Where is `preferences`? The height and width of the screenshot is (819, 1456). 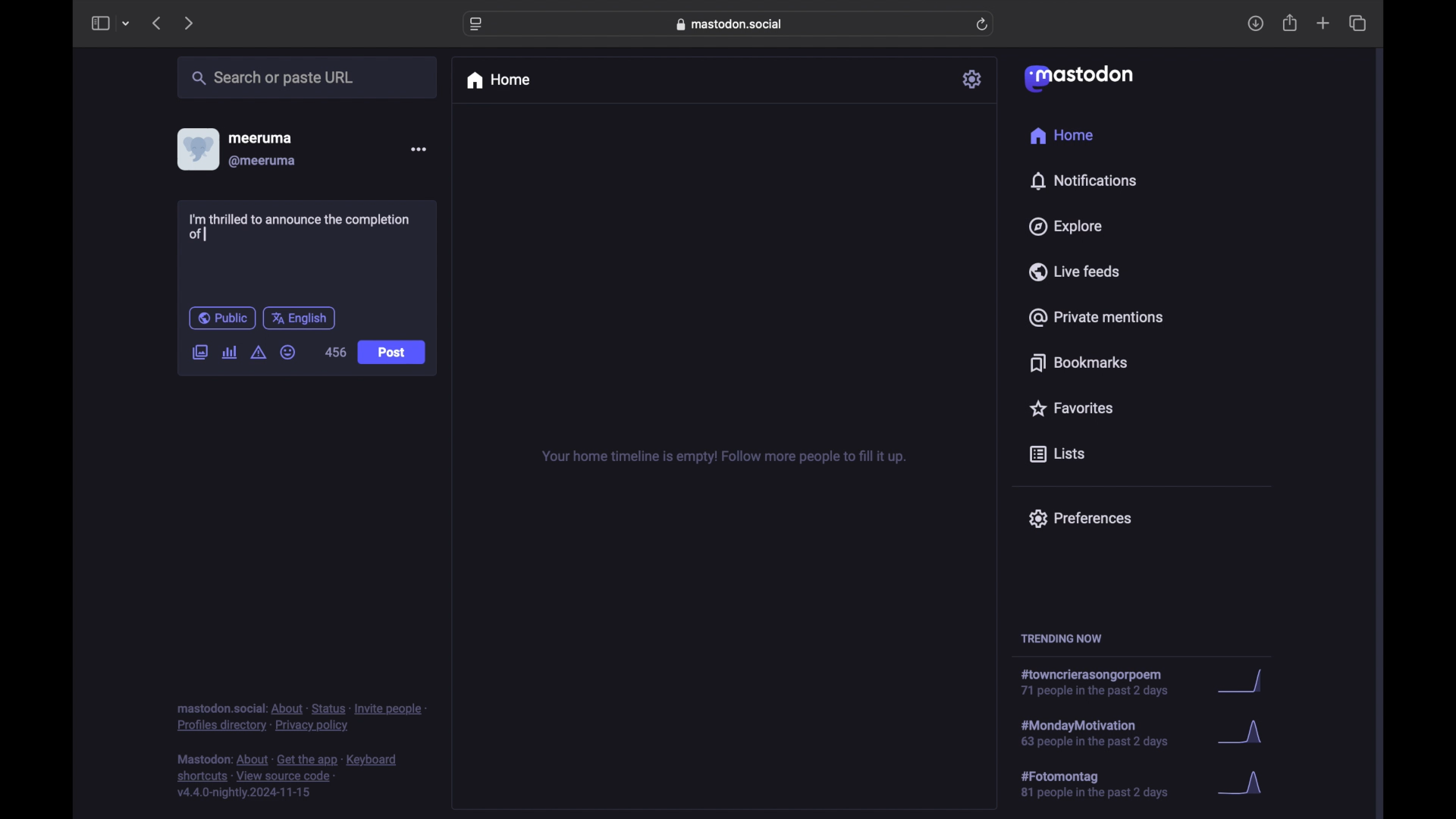 preferences is located at coordinates (1080, 519).